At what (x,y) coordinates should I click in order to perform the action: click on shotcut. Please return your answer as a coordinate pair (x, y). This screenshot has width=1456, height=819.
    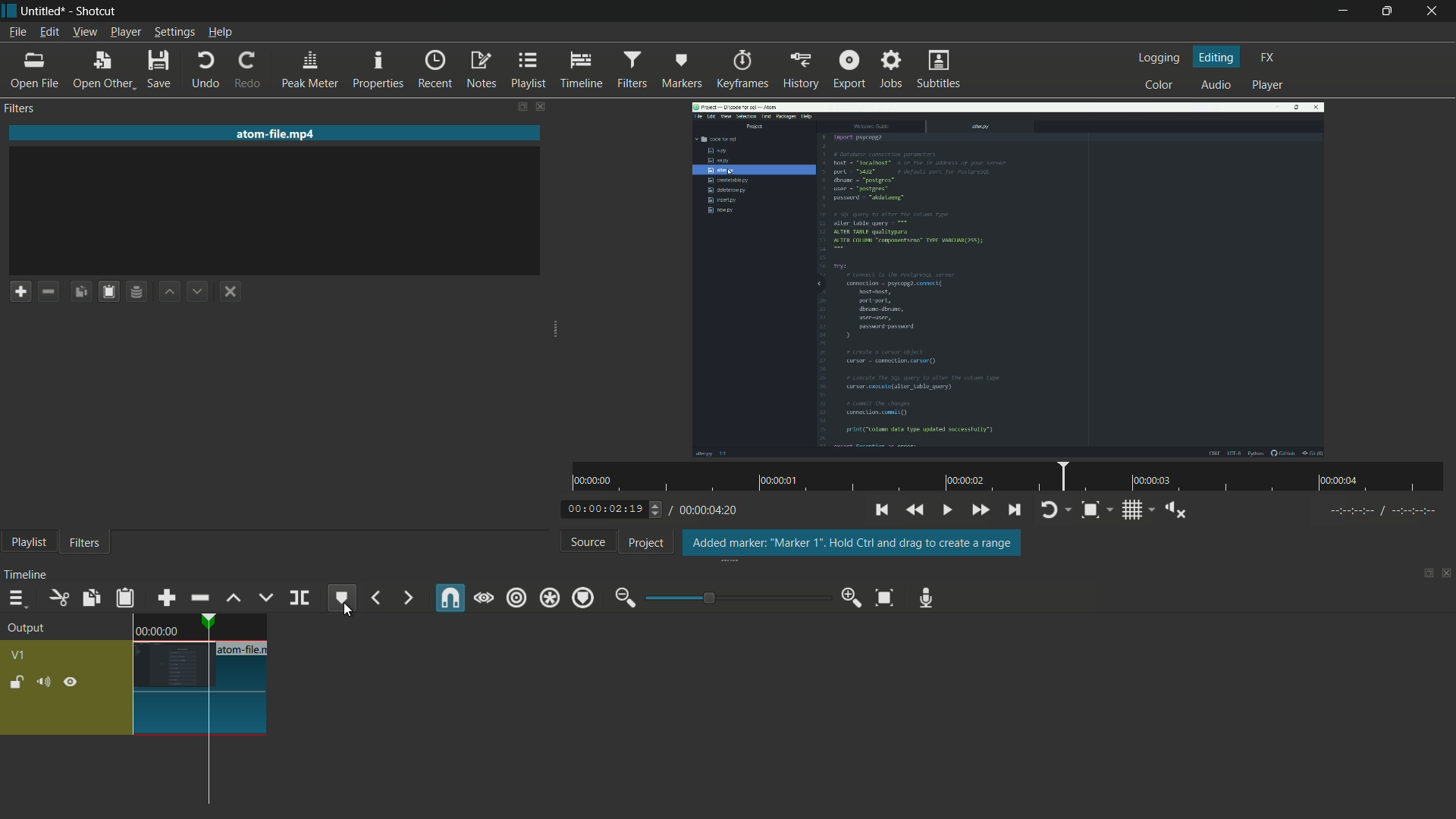
    Looking at the image, I should click on (97, 10).